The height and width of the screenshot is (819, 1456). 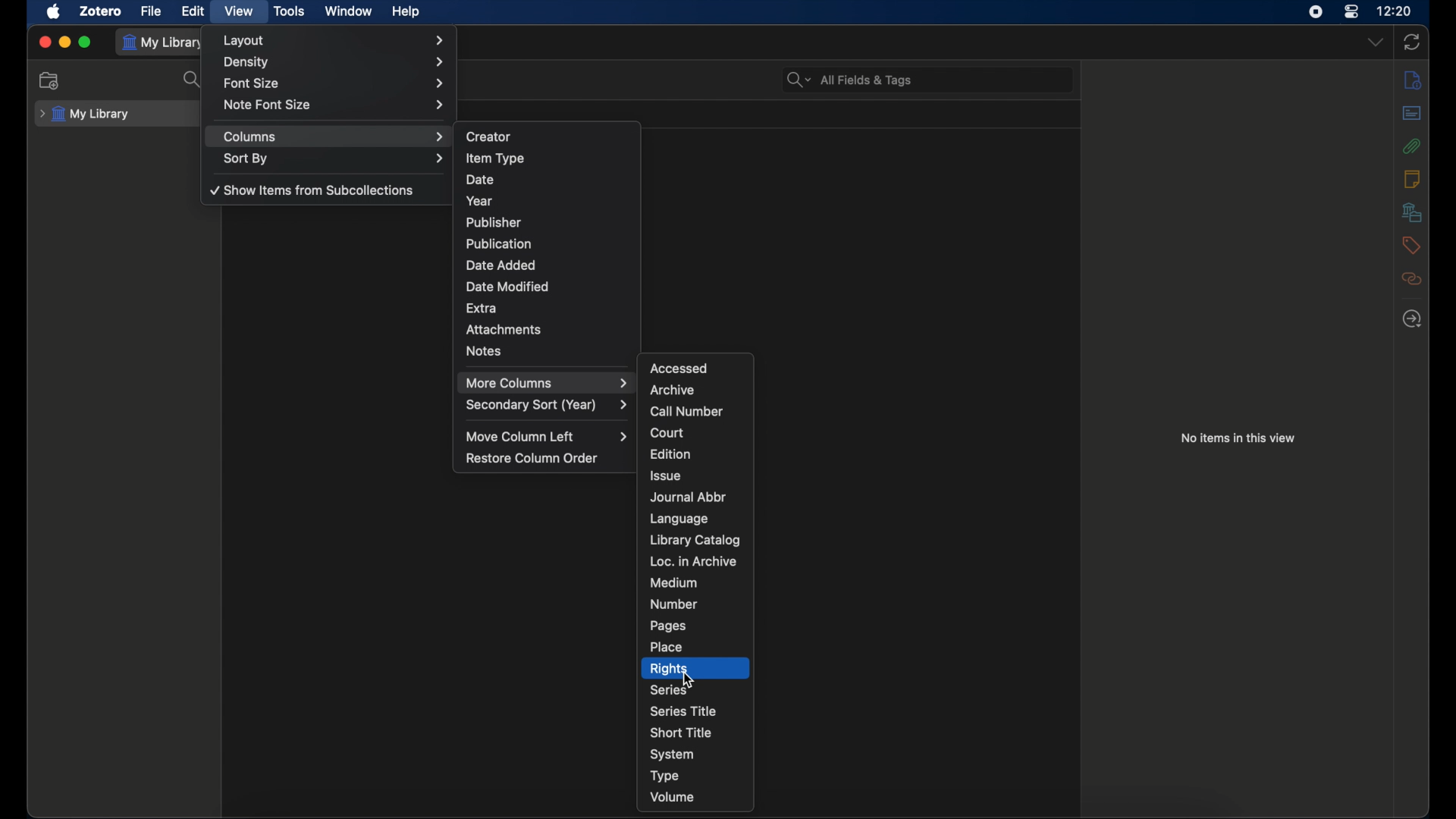 What do you see at coordinates (406, 12) in the screenshot?
I see `help` at bounding box center [406, 12].